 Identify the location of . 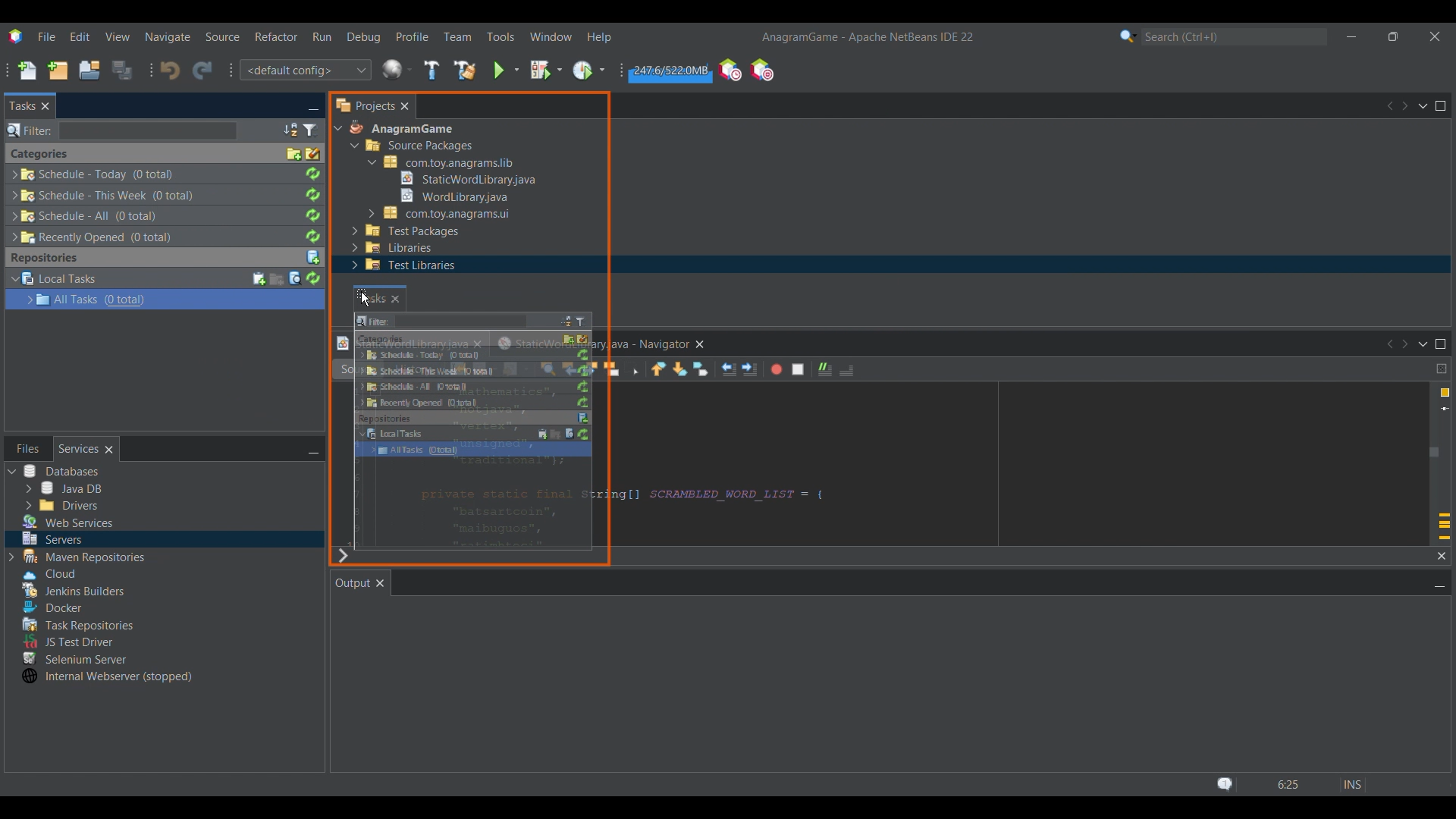
(79, 590).